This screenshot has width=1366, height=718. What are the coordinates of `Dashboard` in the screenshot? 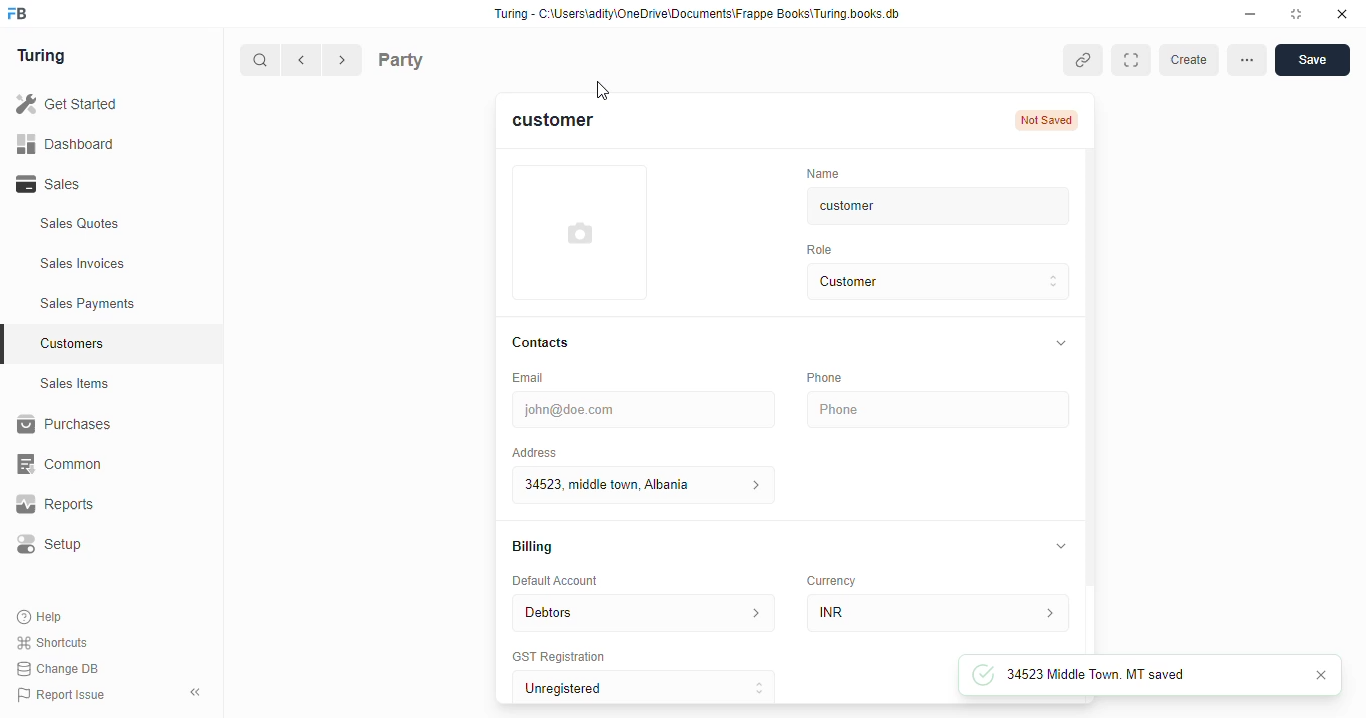 It's located at (95, 143).